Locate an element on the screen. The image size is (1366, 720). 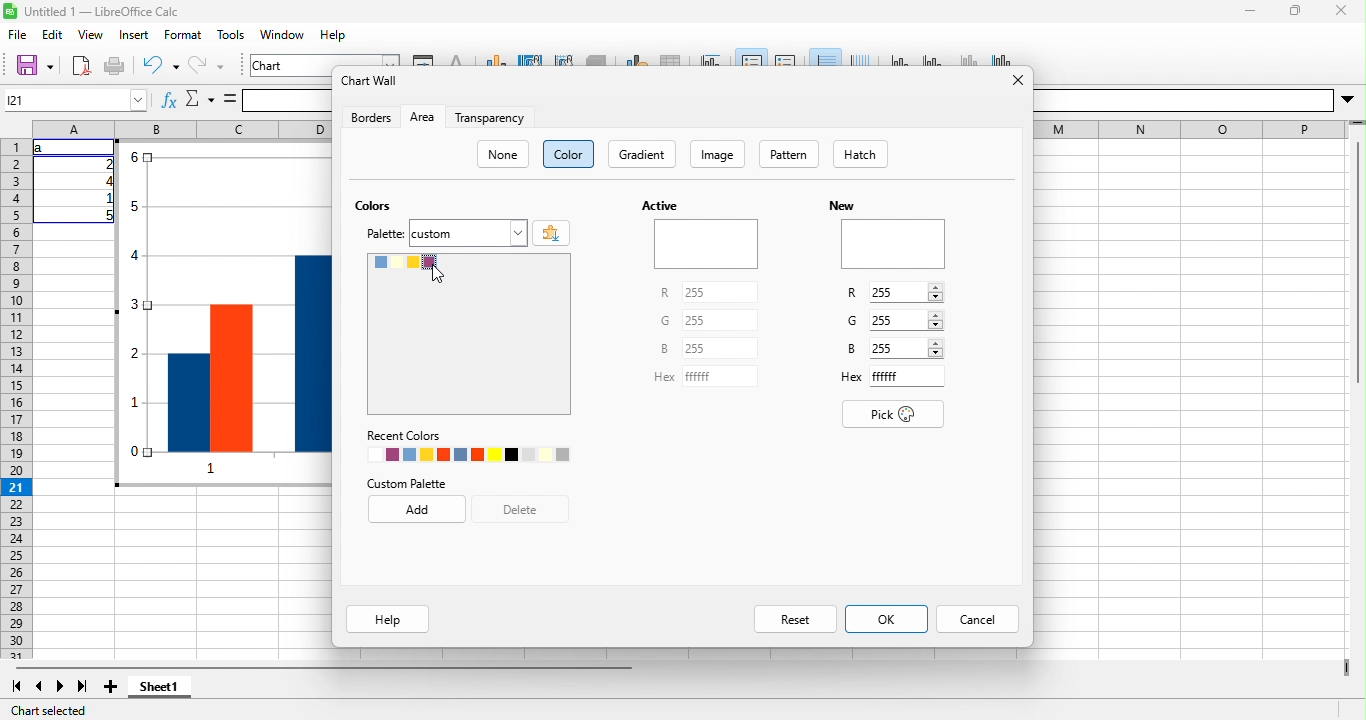
Increase/Decrease B value is located at coordinates (936, 348).